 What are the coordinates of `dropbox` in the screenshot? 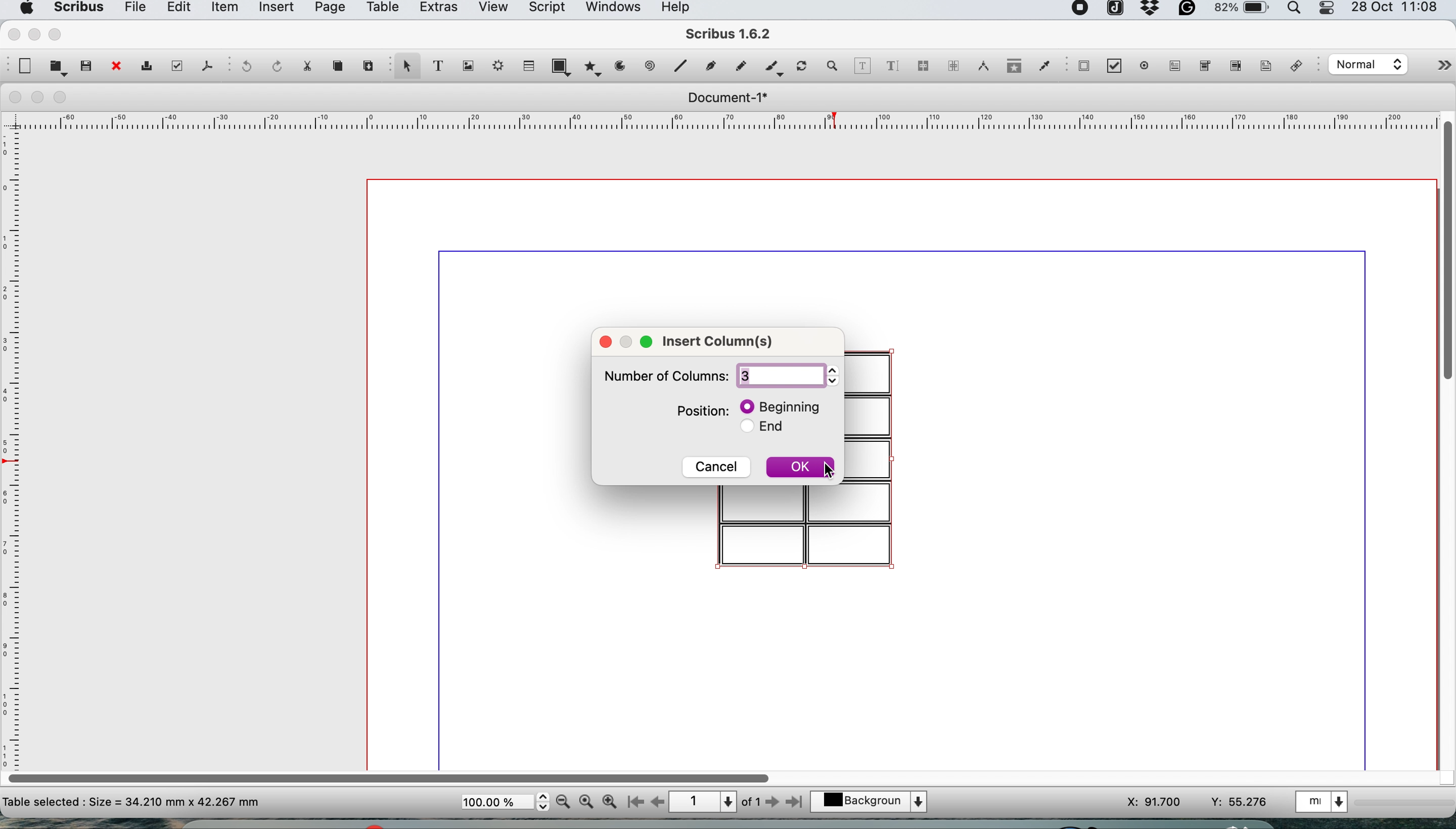 It's located at (1151, 13).